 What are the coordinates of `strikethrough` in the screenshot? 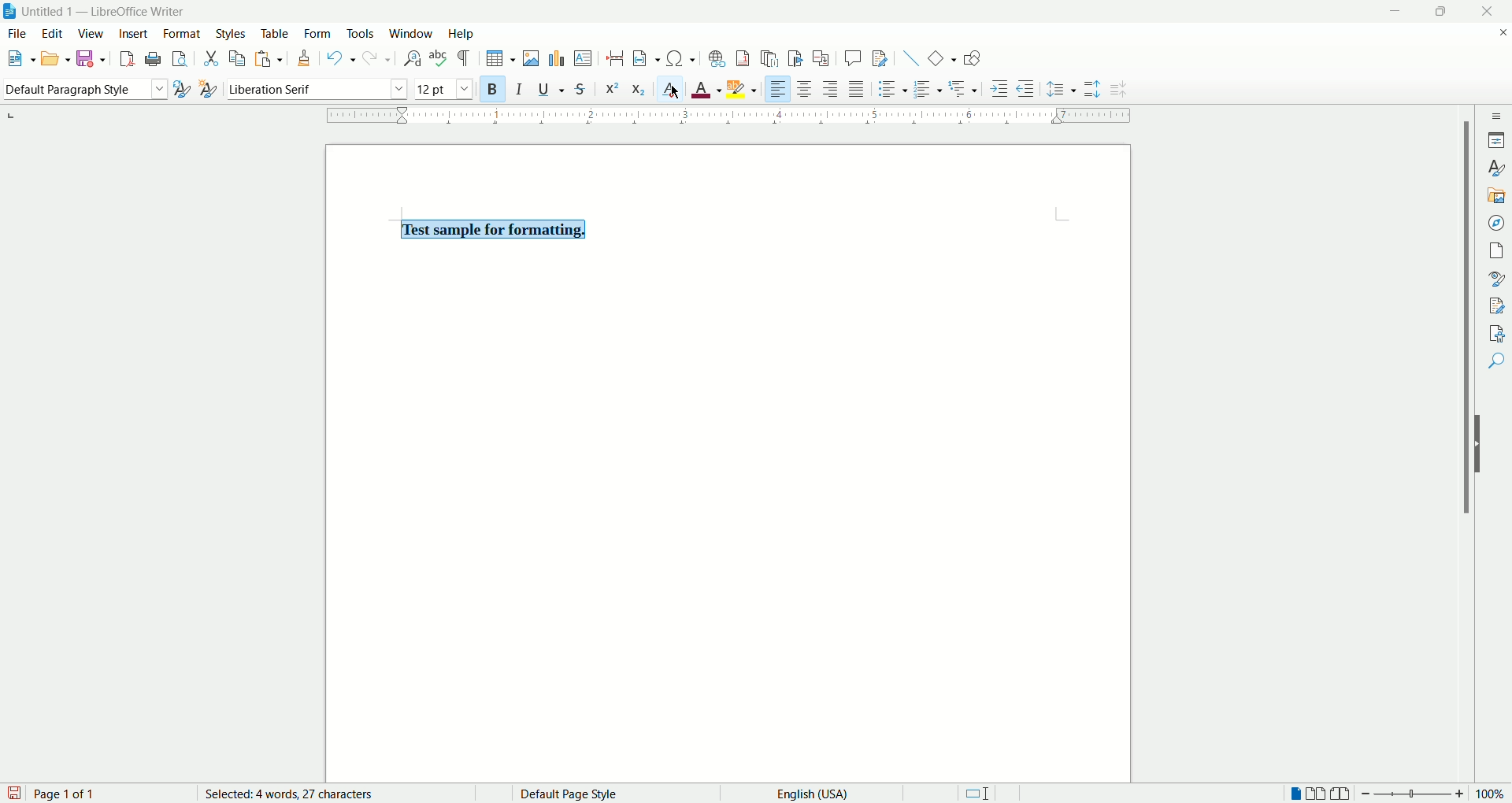 It's located at (579, 89).